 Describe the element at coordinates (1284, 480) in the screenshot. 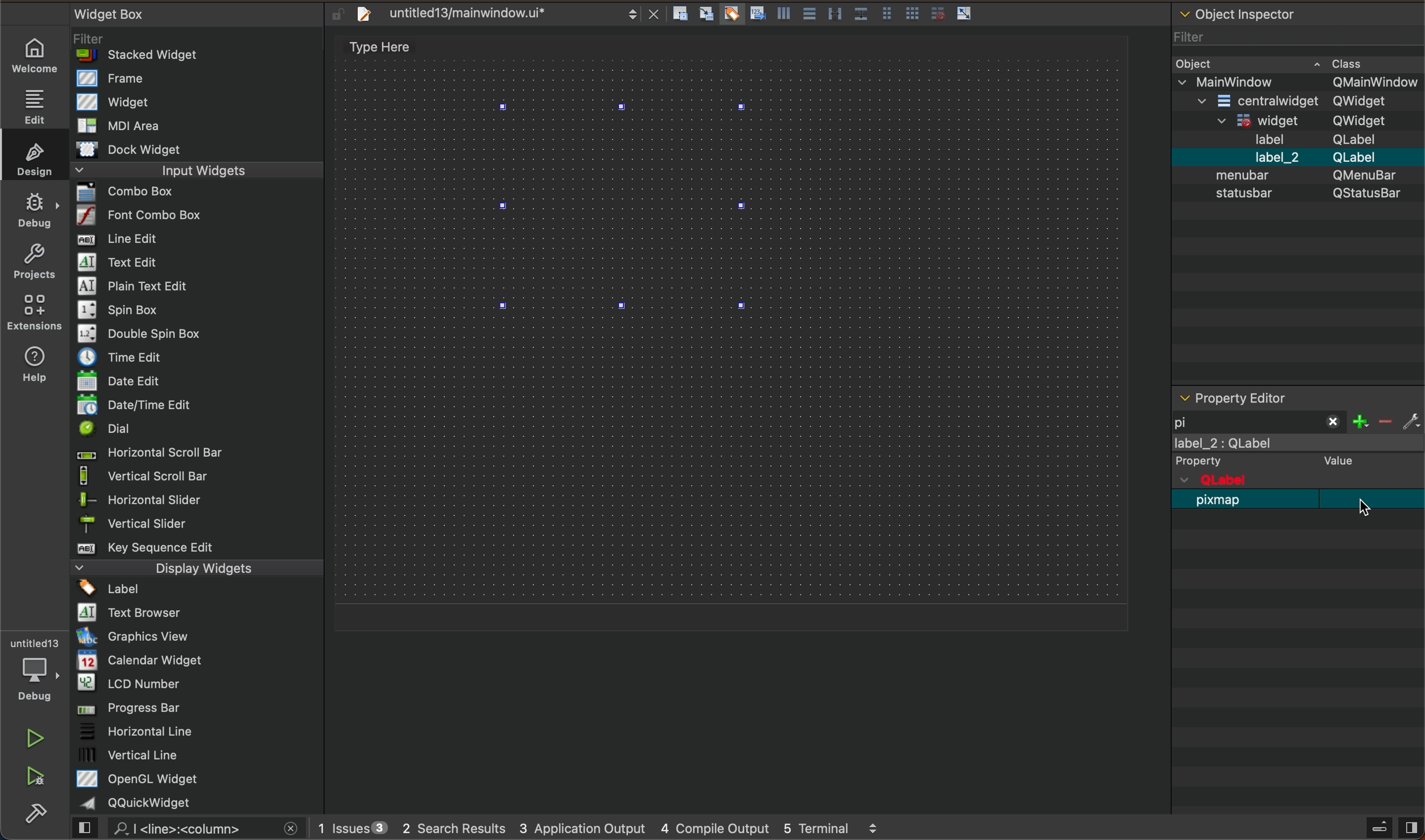

I see `qobject` at that location.